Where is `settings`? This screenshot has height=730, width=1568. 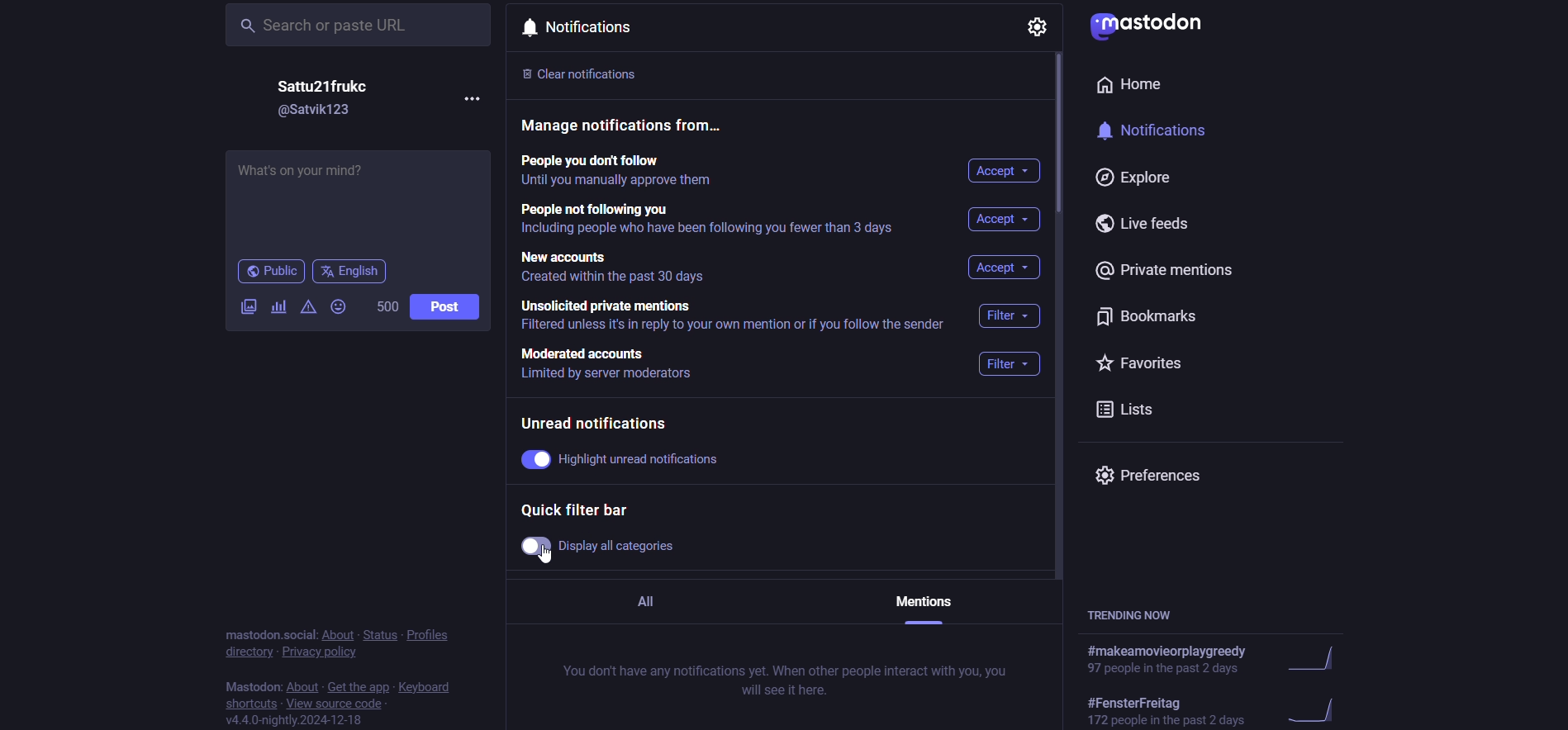
settings is located at coordinates (1036, 27).